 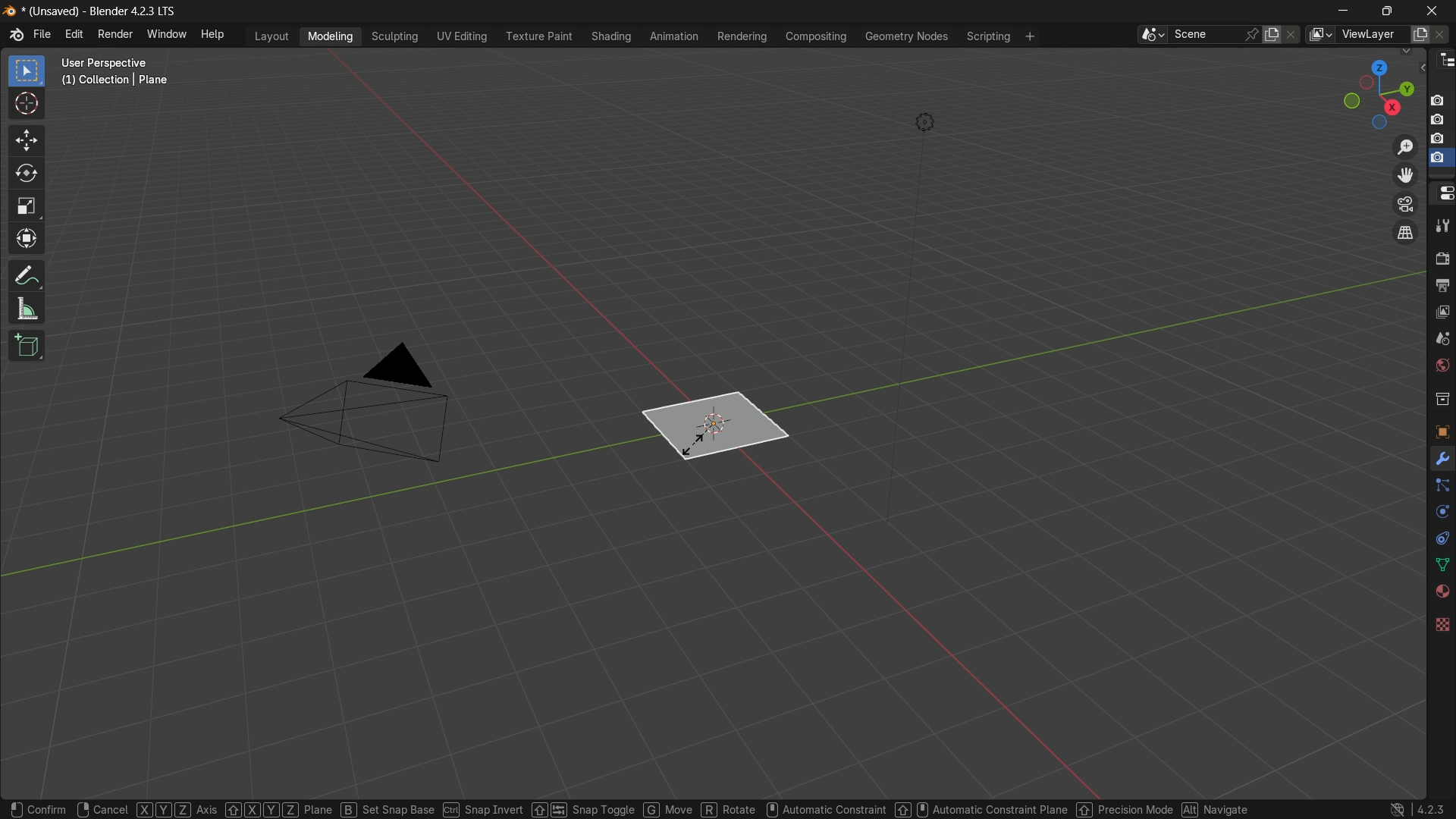 What do you see at coordinates (1443, 461) in the screenshot?
I see `tools` at bounding box center [1443, 461].